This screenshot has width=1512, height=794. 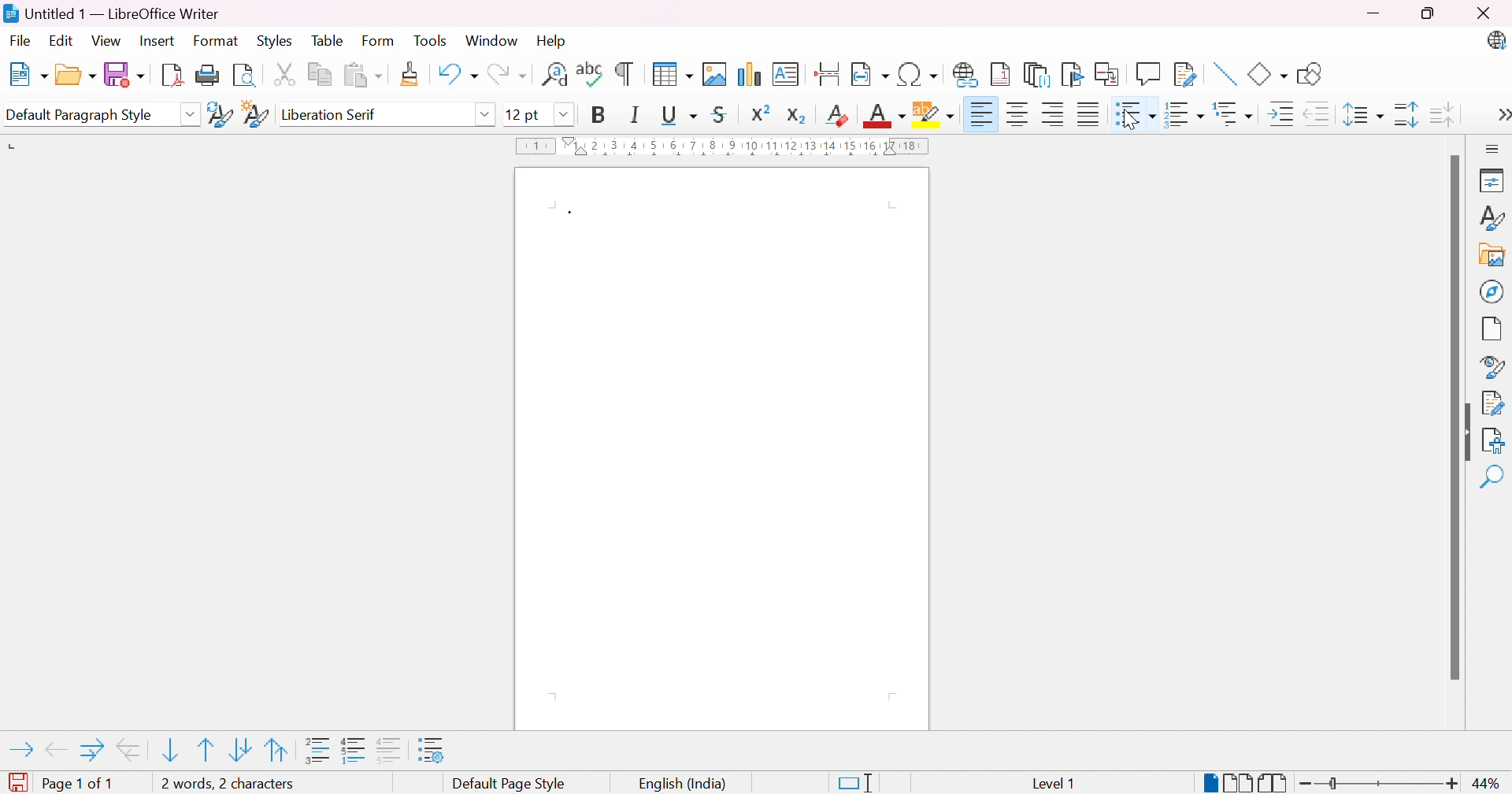 What do you see at coordinates (521, 114) in the screenshot?
I see `12pt` at bounding box center [521, 114].